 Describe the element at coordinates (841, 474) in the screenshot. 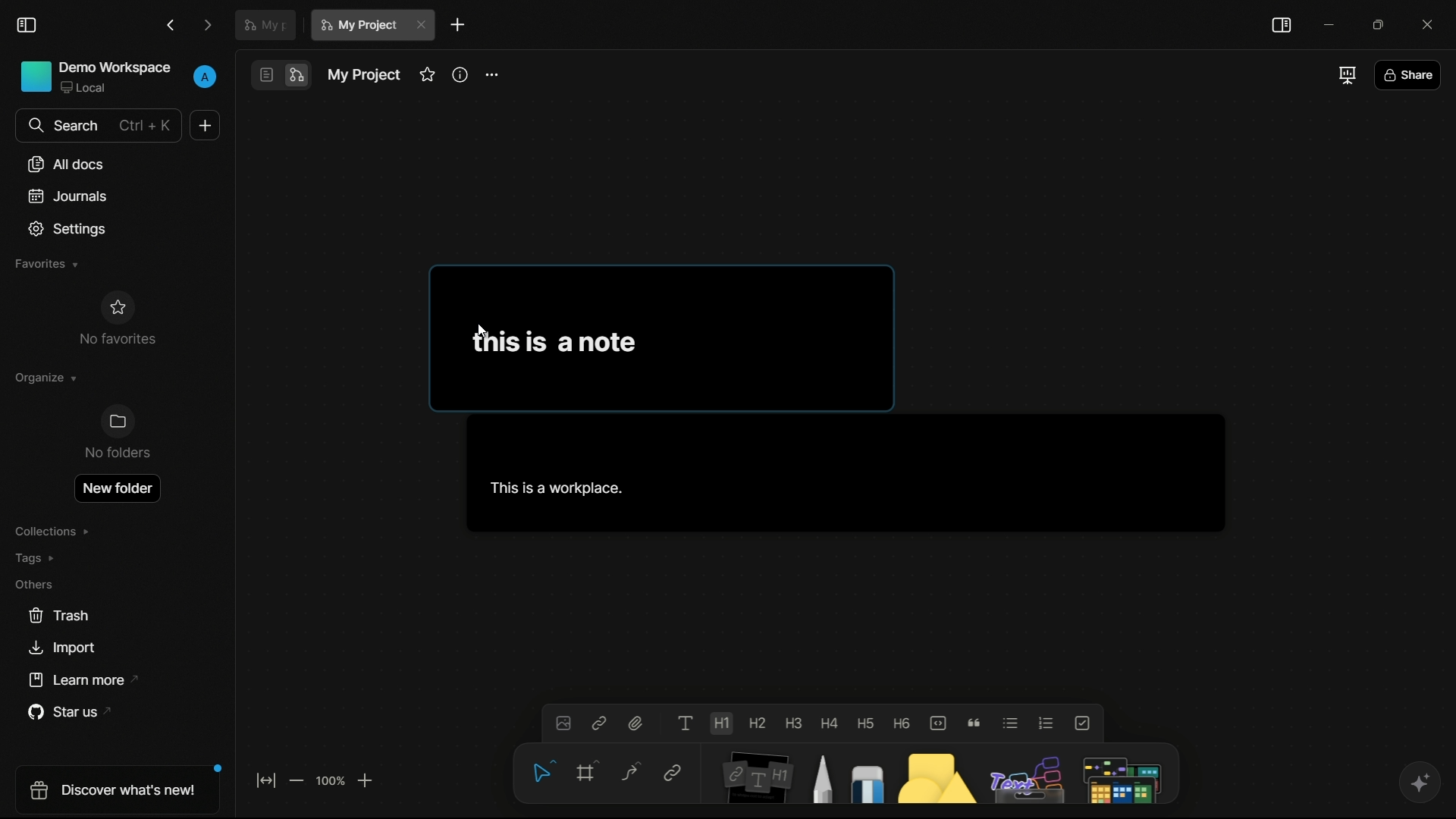

I see `this is workspace` at that location.